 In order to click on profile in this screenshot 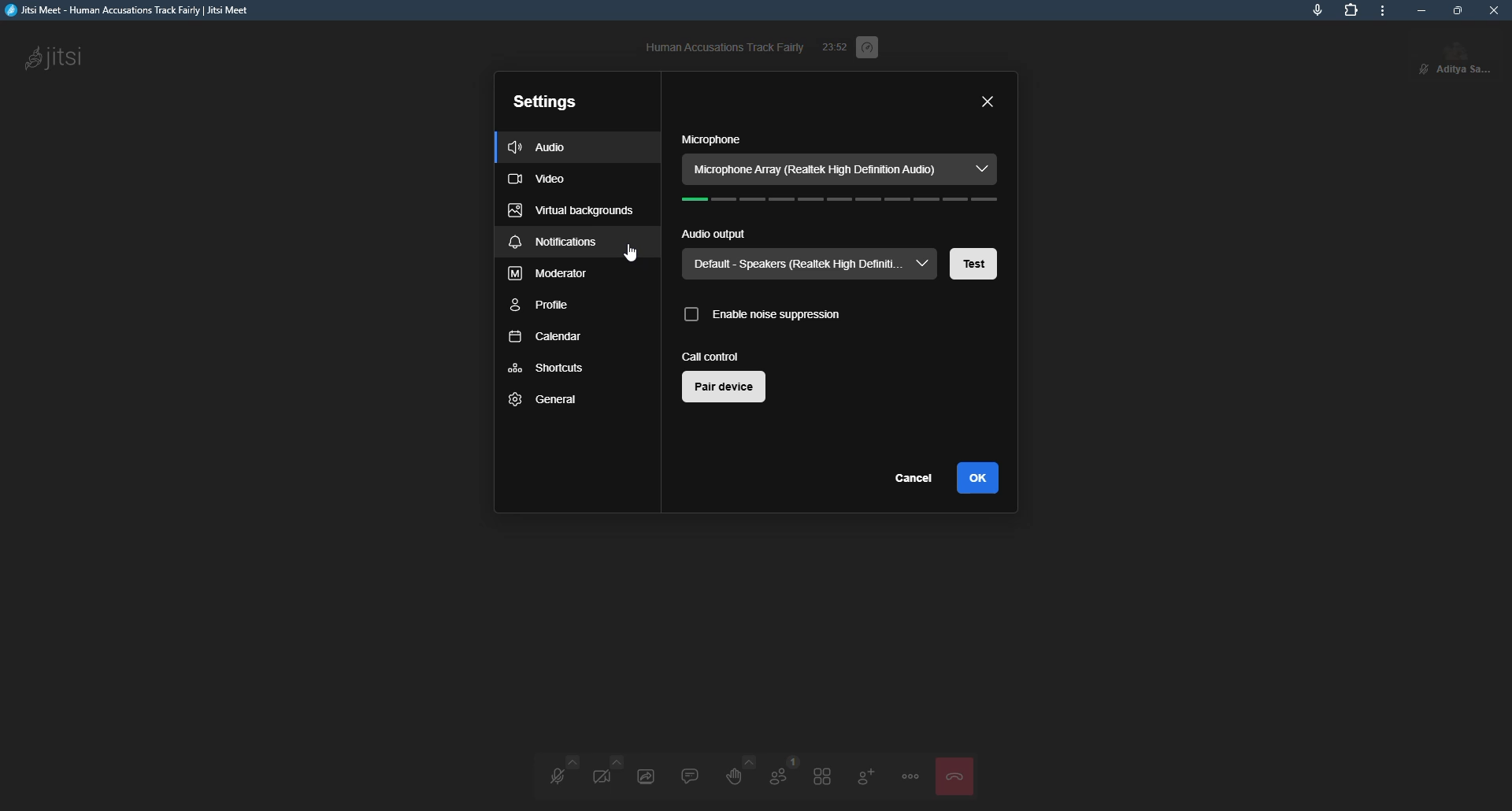, I will do `click(543, 306)`.